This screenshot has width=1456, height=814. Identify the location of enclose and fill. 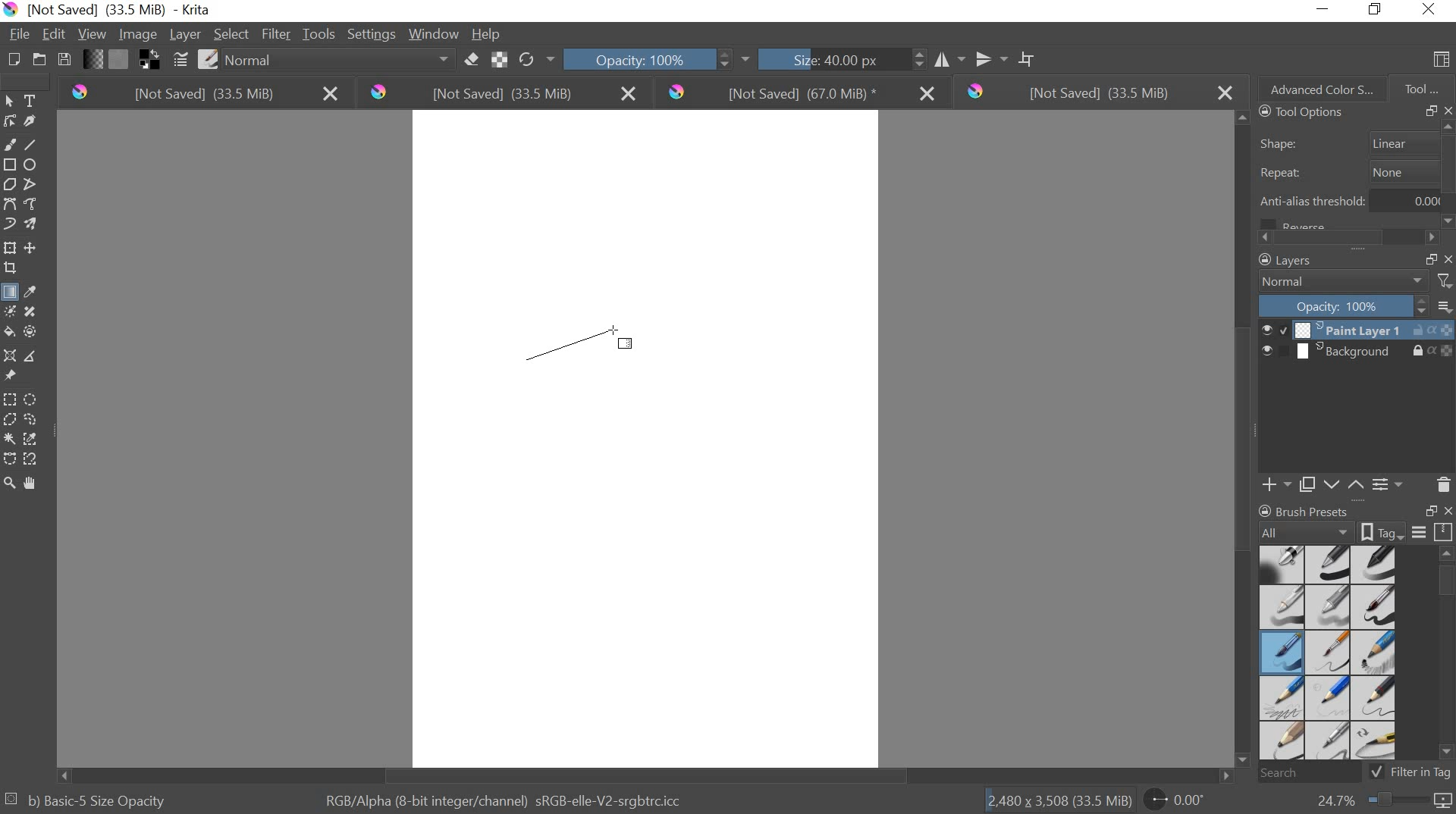
(33, 331).